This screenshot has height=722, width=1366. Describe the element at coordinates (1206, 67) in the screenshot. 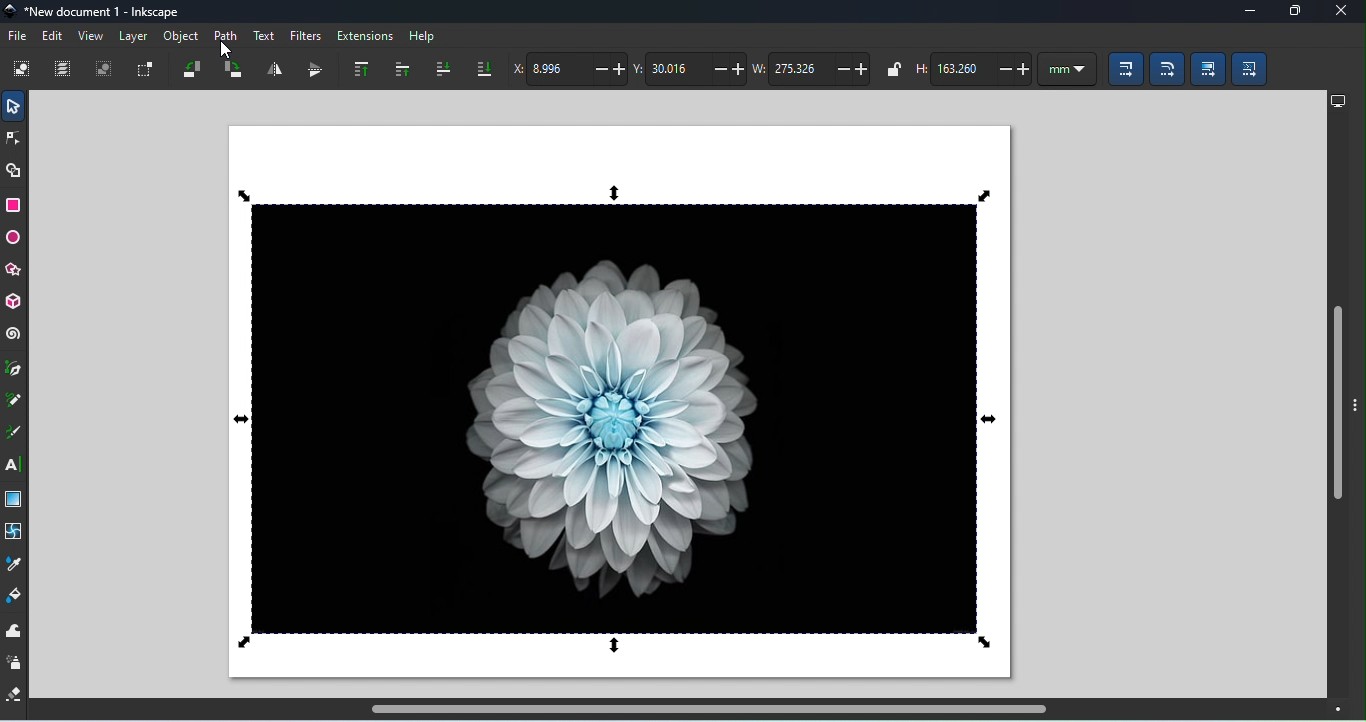

I see `Move gradients (in fill and stroke) along with the objects` at that location.